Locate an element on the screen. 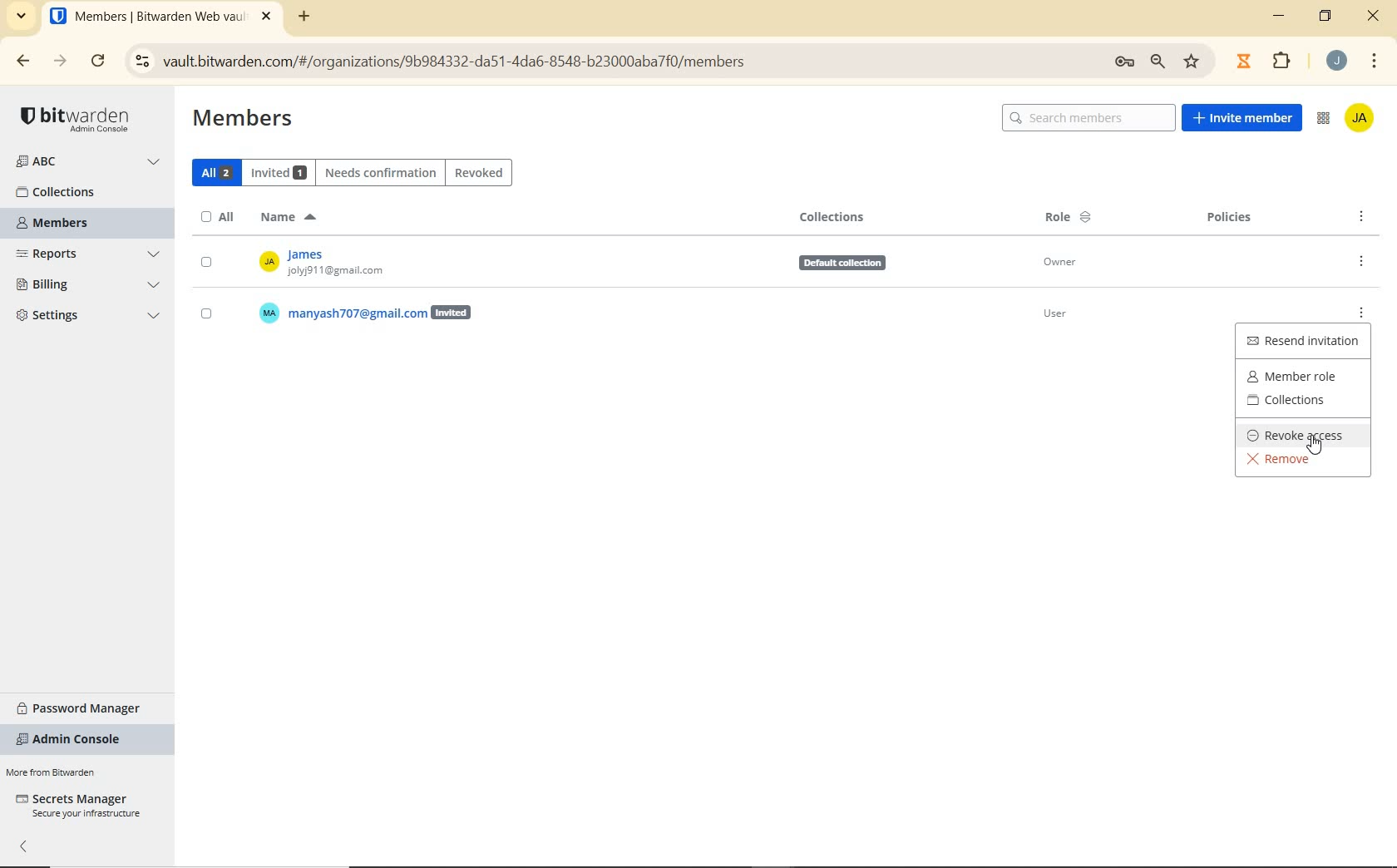 This screenshot has width=1397, height=868. ACCOUNT NAME is located at coordinates (1362, 120).